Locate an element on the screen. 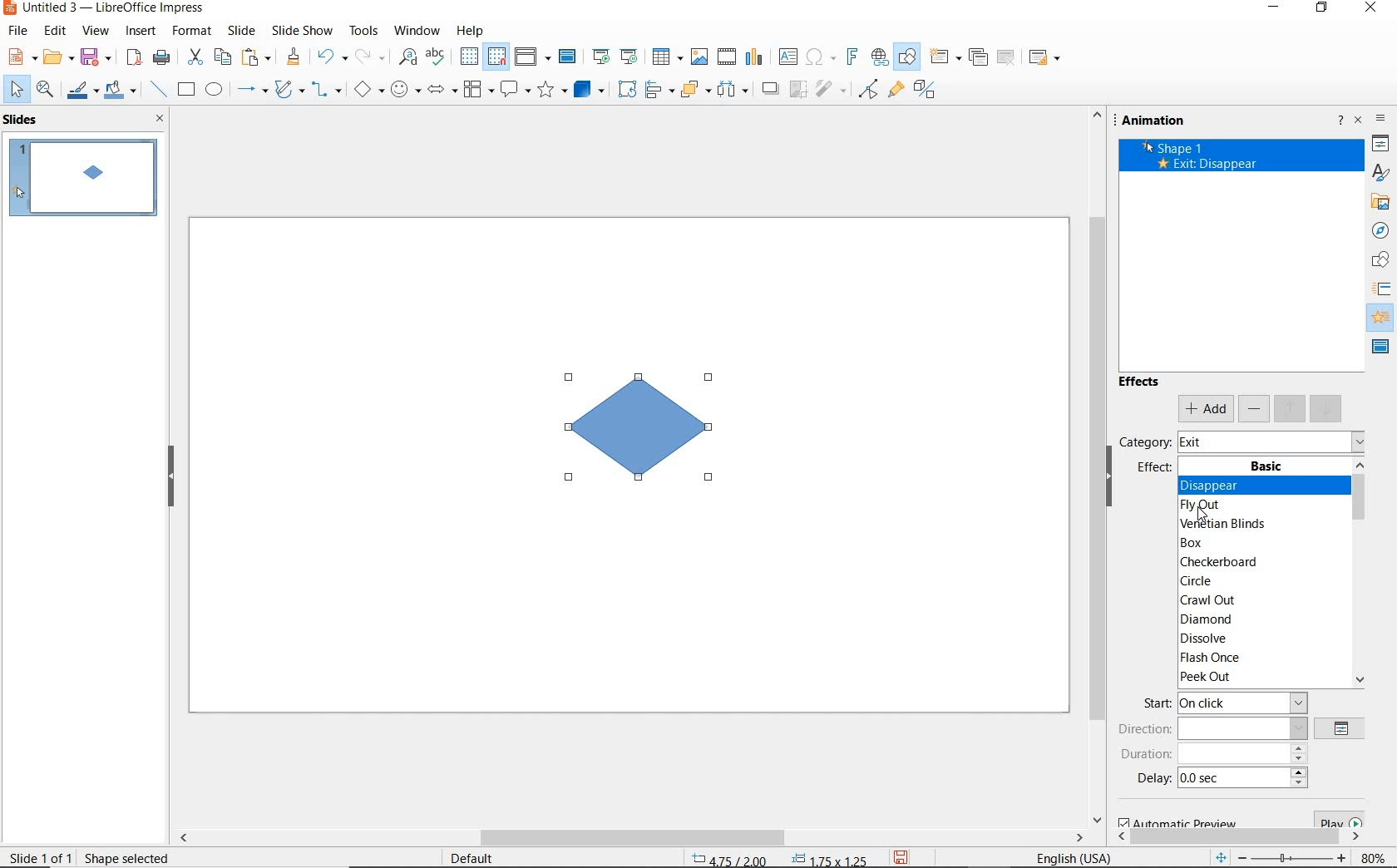 This screenshot has width=1397, height=868. minimize is located at coordinates (1276, 8).